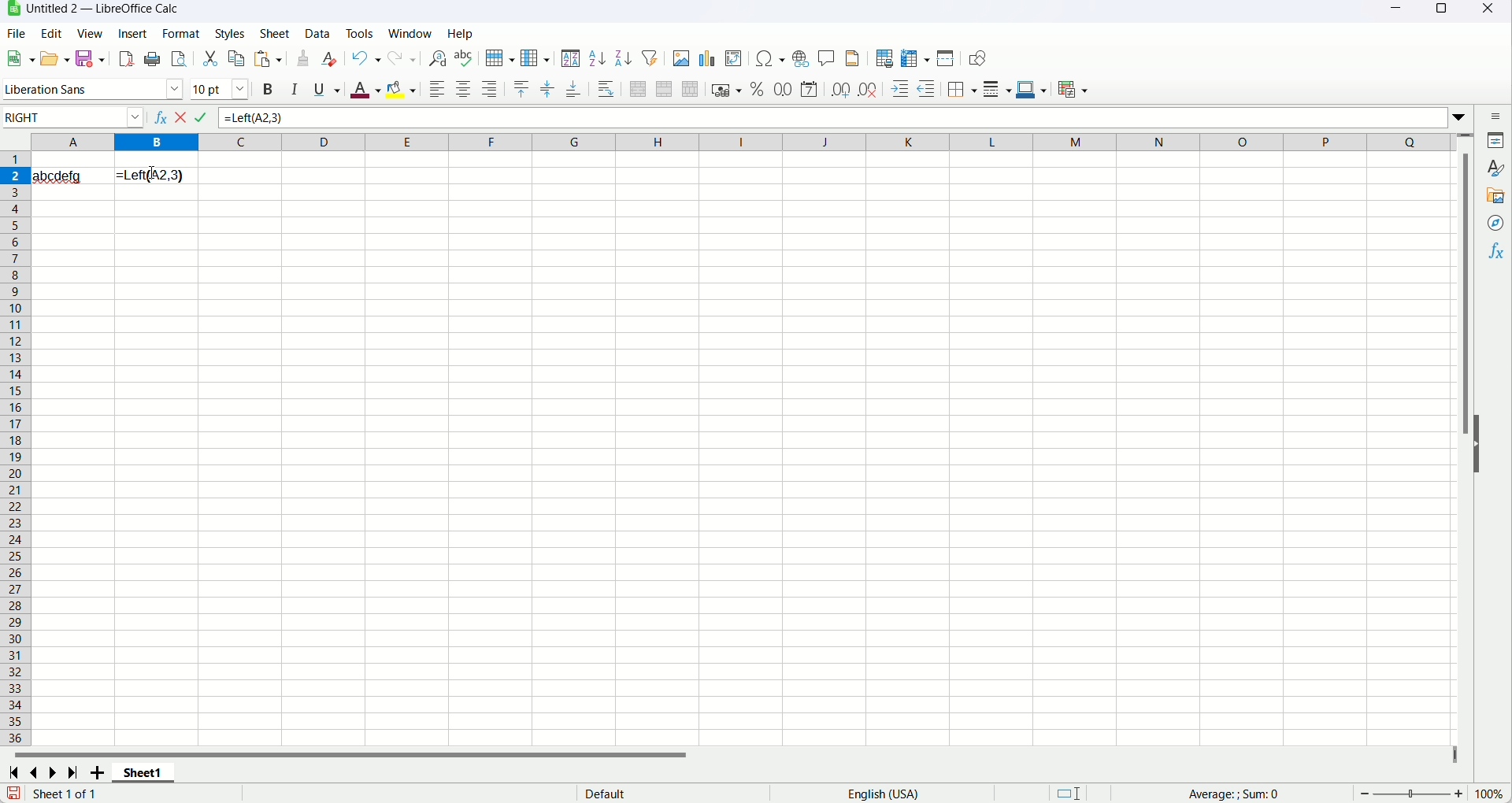  What do you see at coordinates (706, 59) in the screenshot?
I see `insert chart` at bounding box center [706, 59].